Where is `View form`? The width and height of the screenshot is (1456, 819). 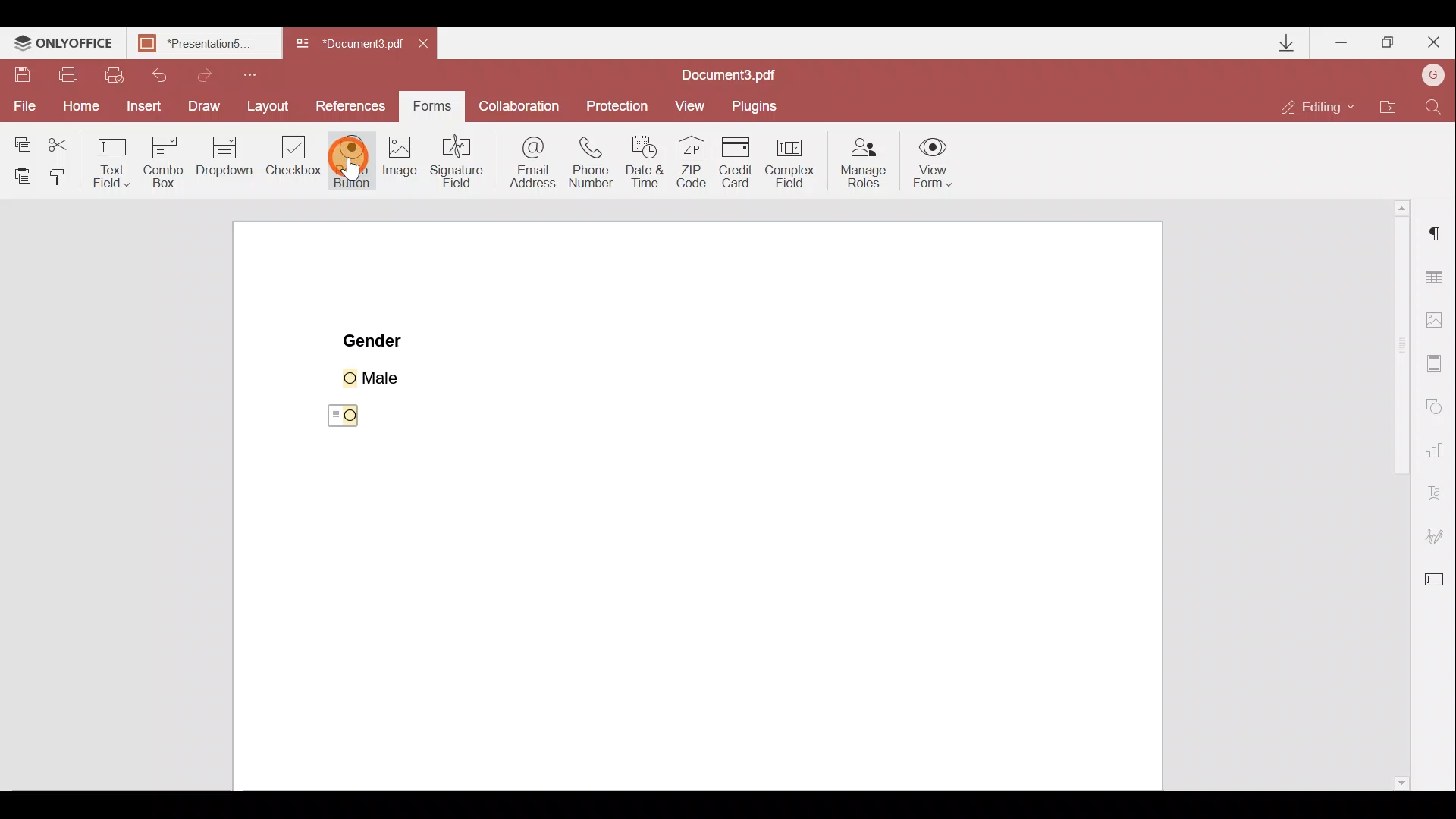 View form is located at coordinates (934, 162).